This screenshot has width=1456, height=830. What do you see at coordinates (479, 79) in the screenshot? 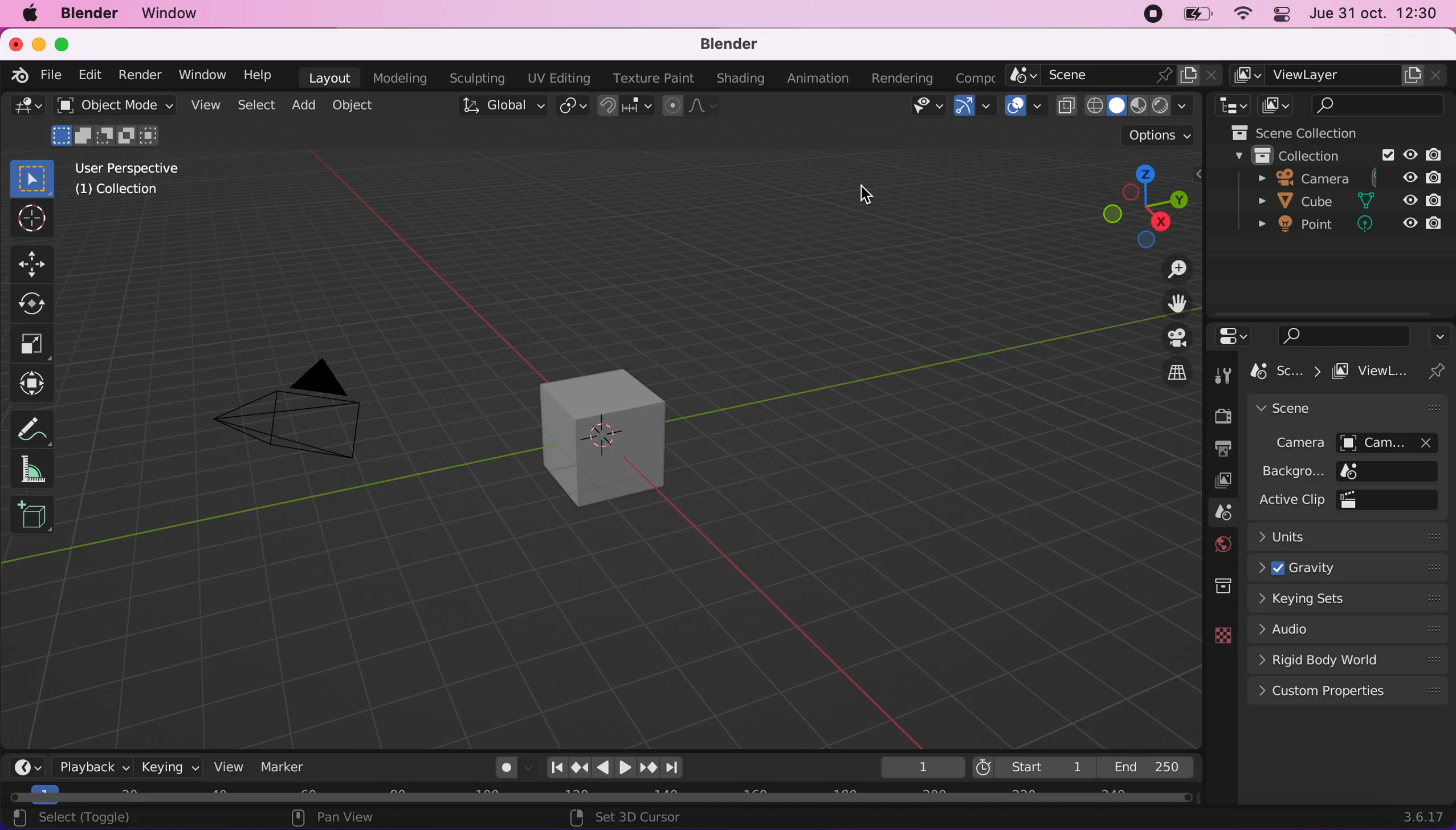
I see `sculpting` at bounding box center [479, 79].